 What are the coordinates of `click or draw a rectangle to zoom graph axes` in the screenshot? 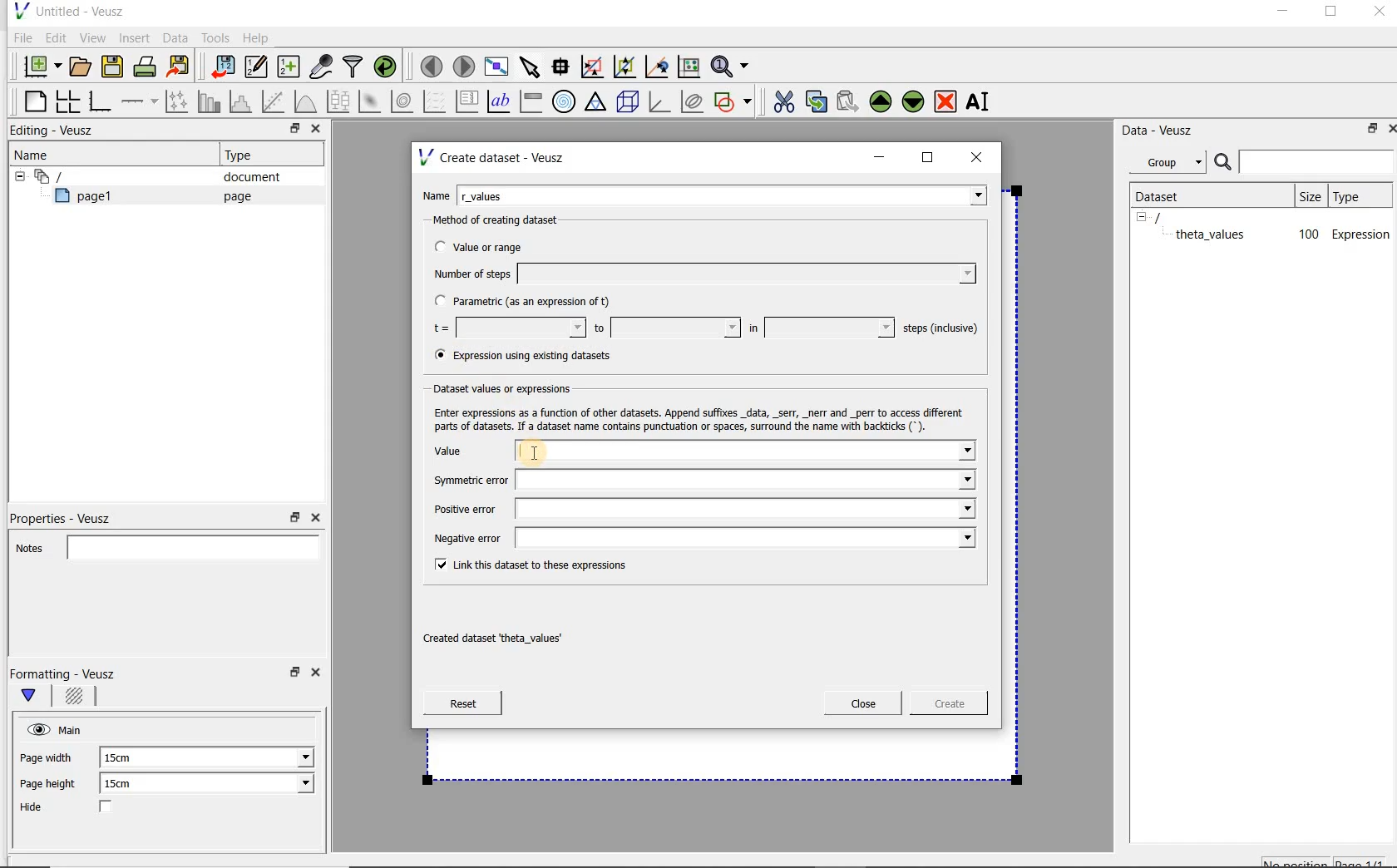 It's located at (595, 67).